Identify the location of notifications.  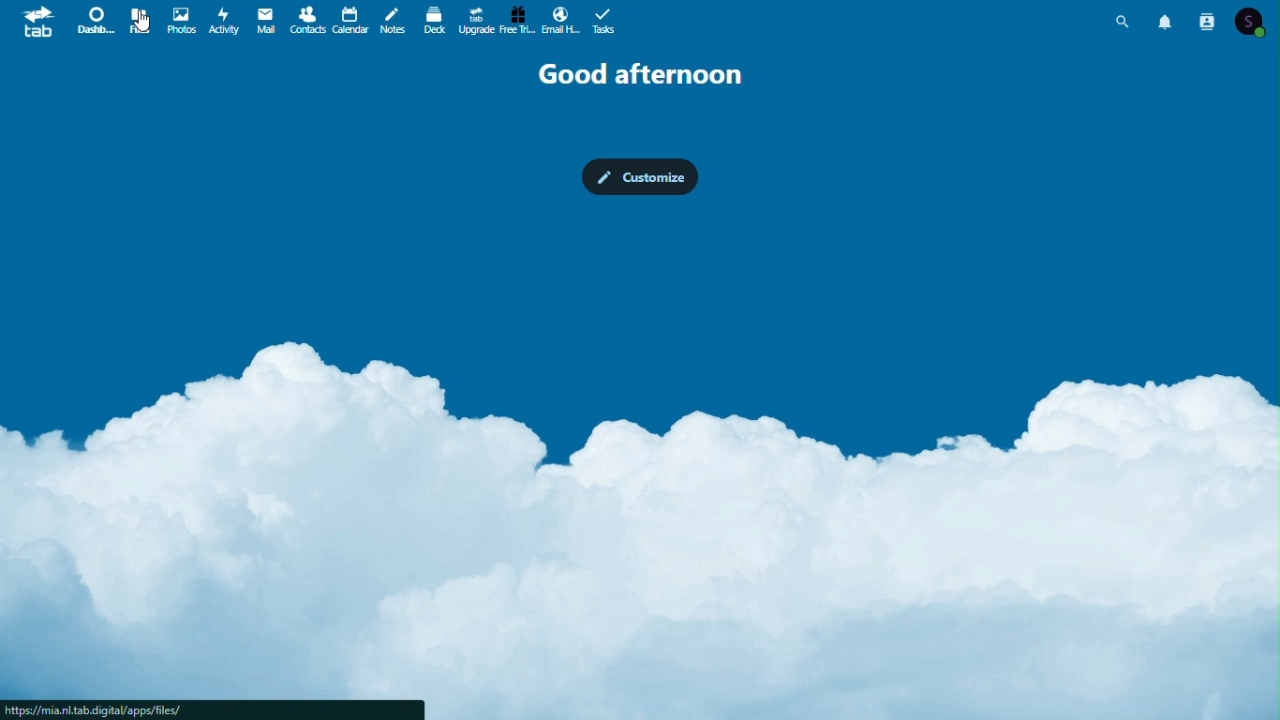
(1166, 20).